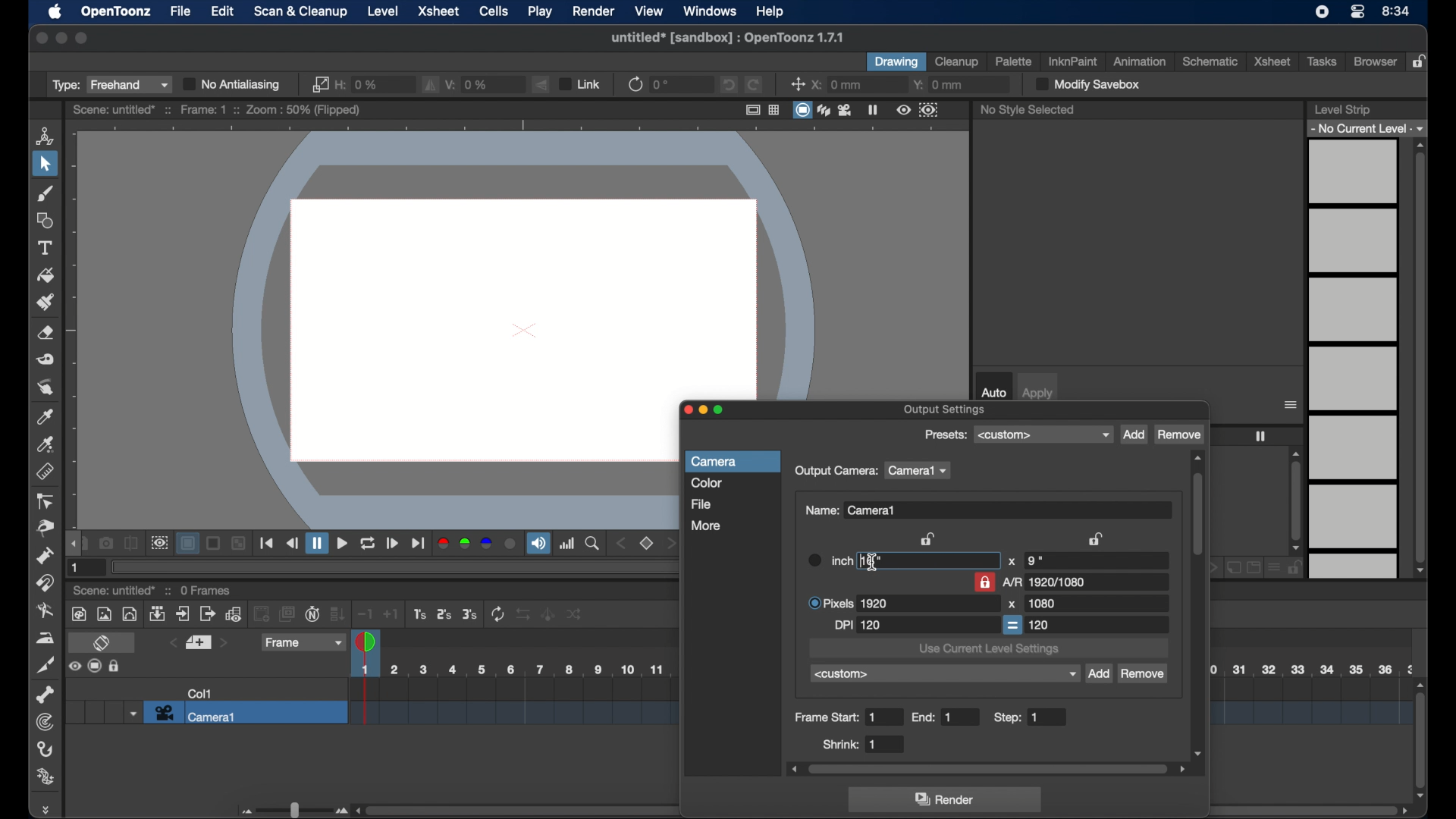 This screenshot has height=819, width=1456. Describe the element at coordinates (1198, 605) in the screenshot. I see `scroll box` at that location.